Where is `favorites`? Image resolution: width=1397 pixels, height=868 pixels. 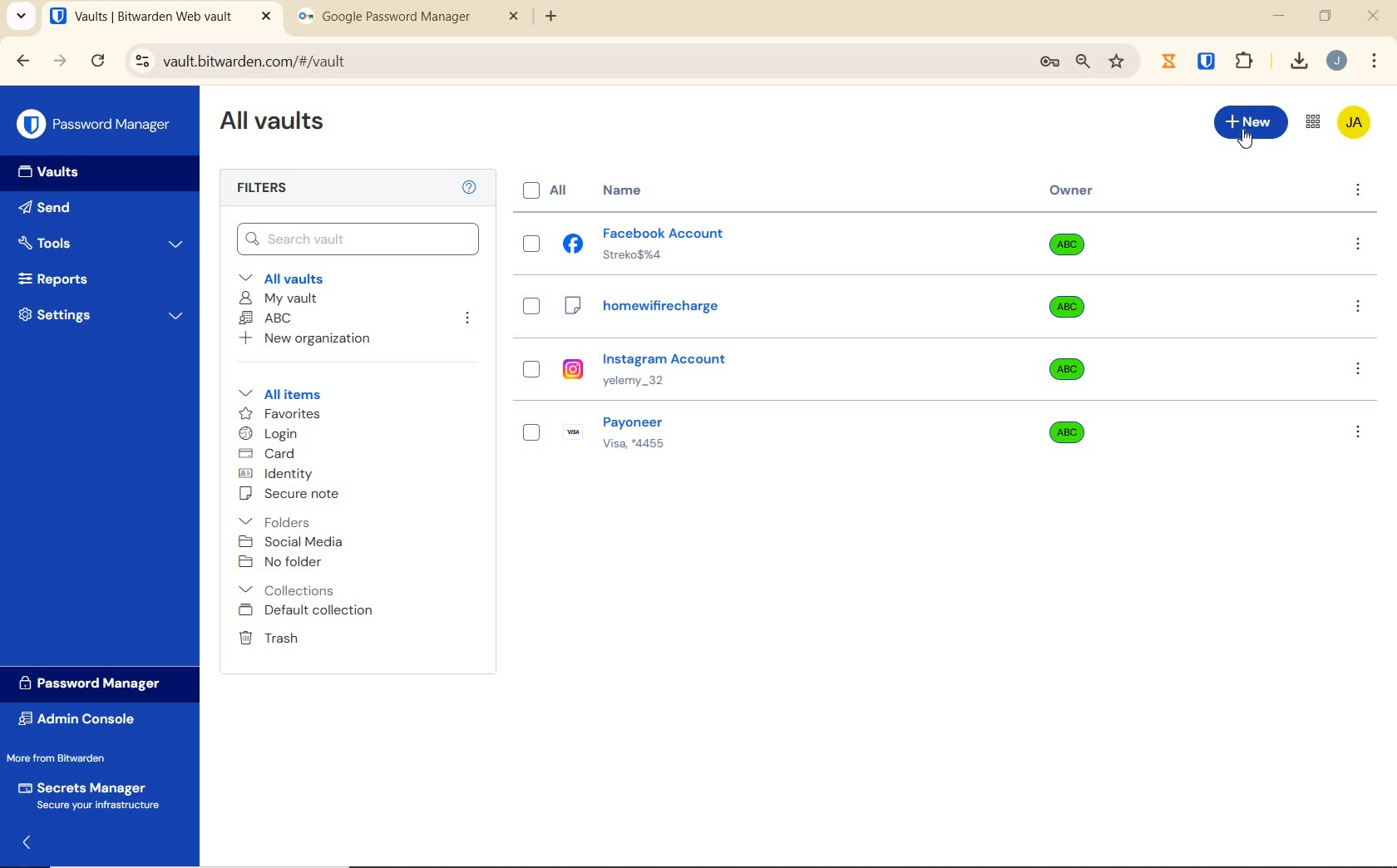
favorites is located at coordinates (281, 416).